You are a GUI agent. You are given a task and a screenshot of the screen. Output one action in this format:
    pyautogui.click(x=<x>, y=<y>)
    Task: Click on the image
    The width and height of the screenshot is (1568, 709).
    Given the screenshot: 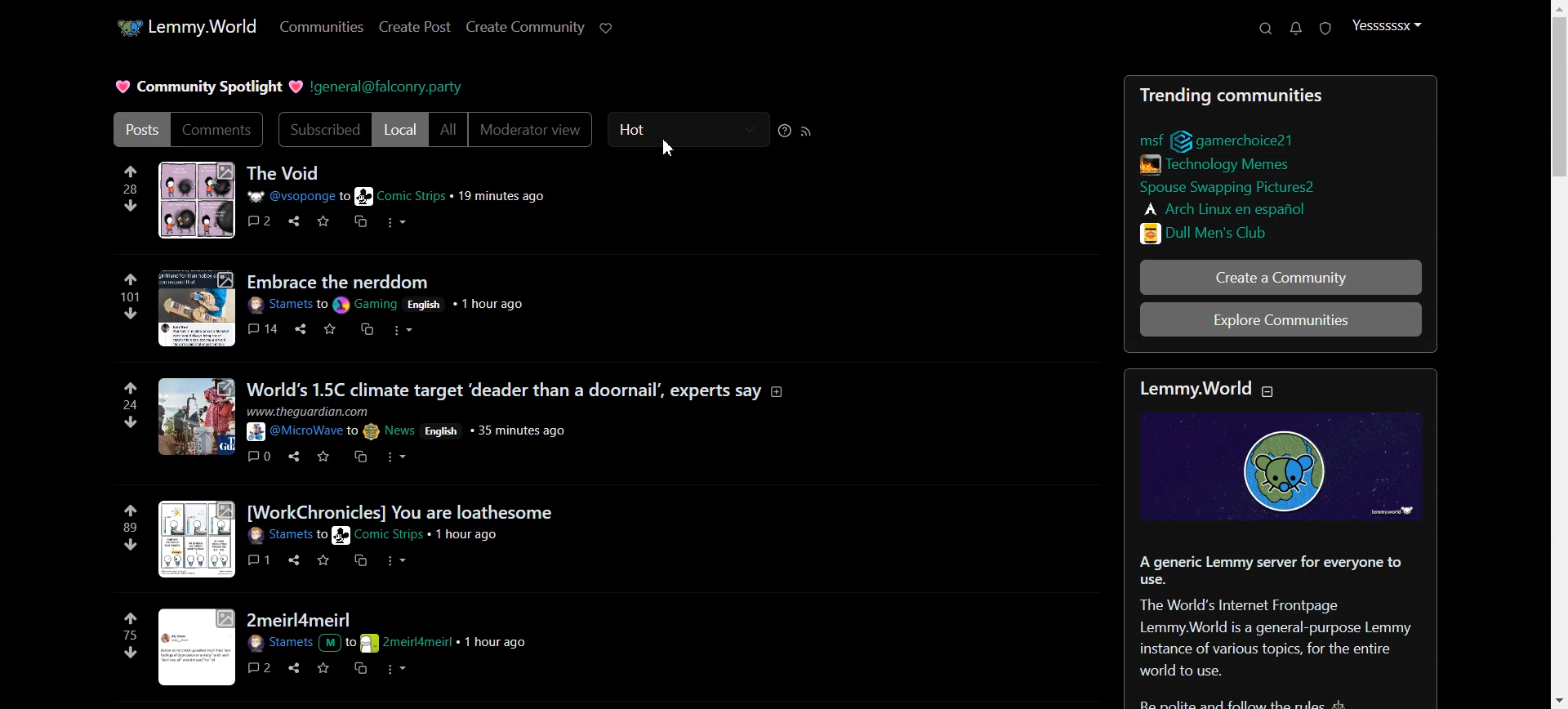 What is the action you would take?
    pyautogui.click(x=196, y=419)
    